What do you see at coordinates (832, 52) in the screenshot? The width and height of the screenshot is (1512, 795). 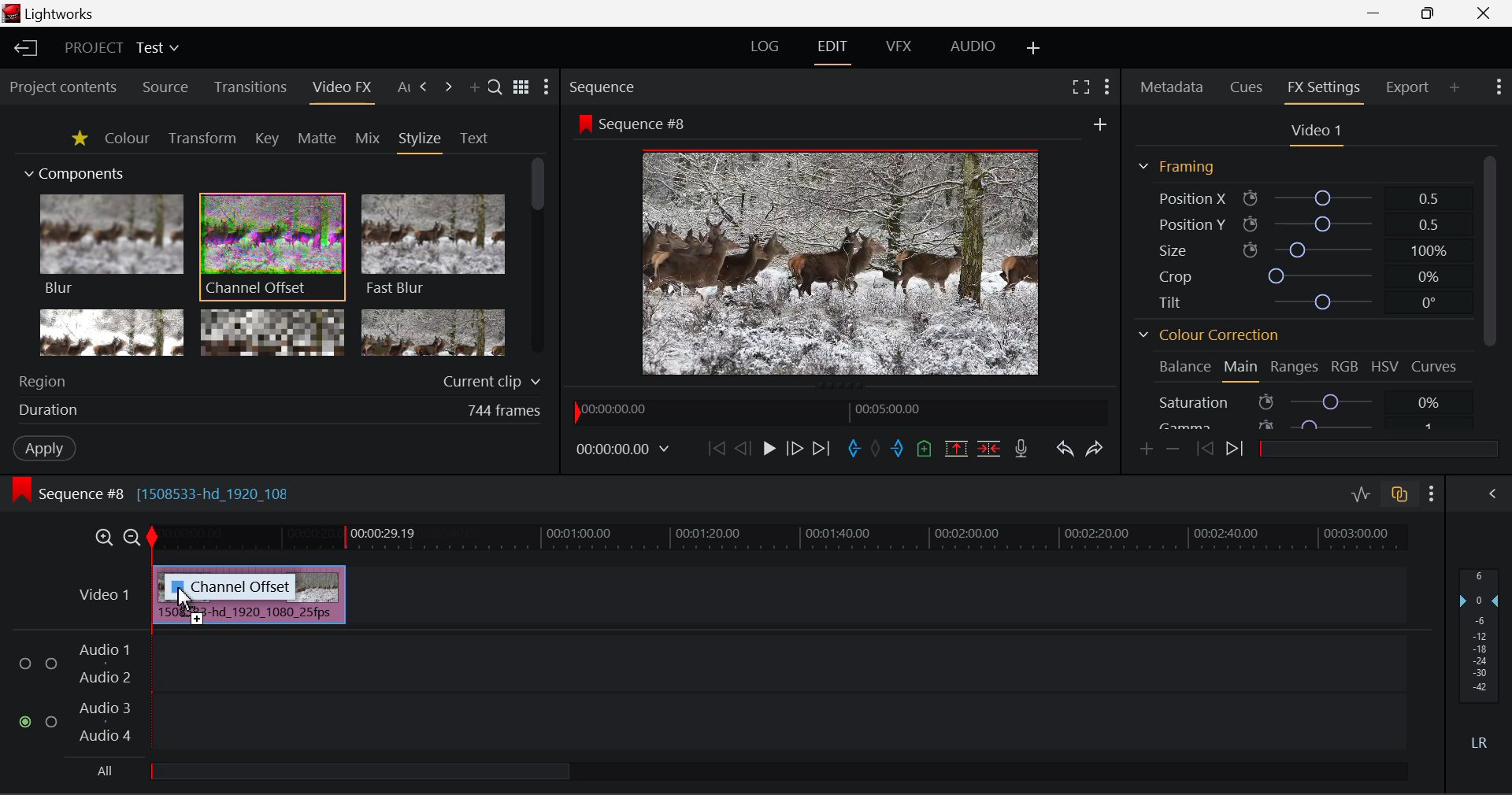 I see `Edit Layout Open` at bounding box center [832, 52].